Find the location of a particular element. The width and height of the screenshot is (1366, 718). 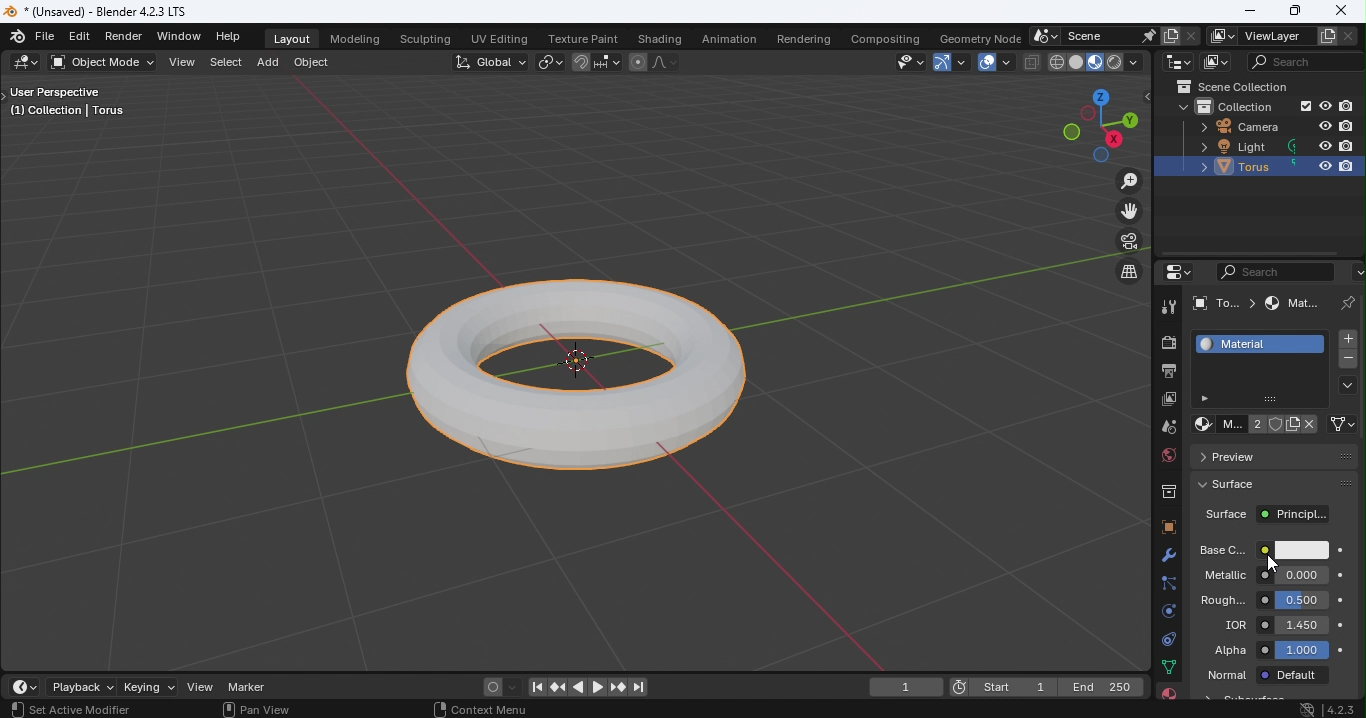

Switch the current view from perspective/orthographic prokection is located at coordinates (1111, 274).